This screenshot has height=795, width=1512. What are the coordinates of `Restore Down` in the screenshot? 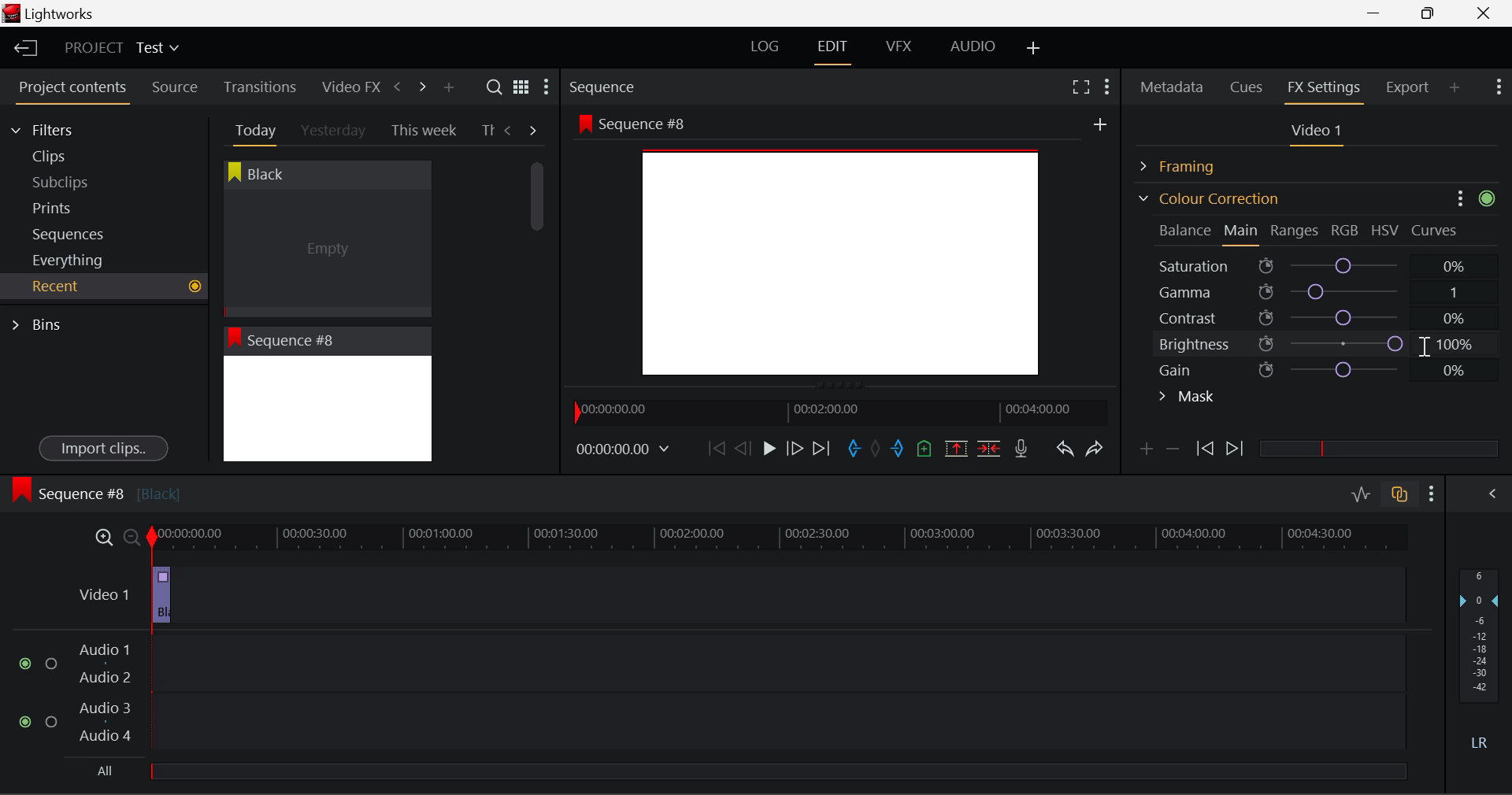 It's located at (1379, 13).